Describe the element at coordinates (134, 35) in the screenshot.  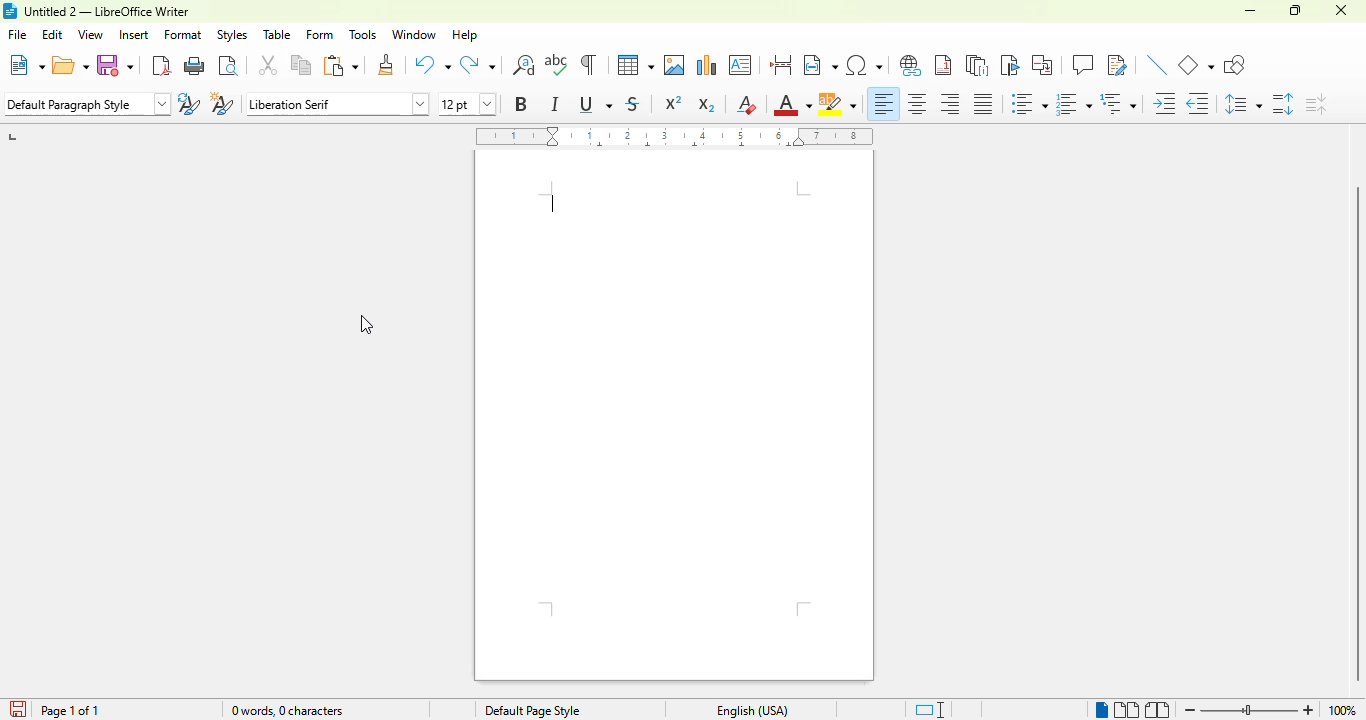
I see `insert` at that location.